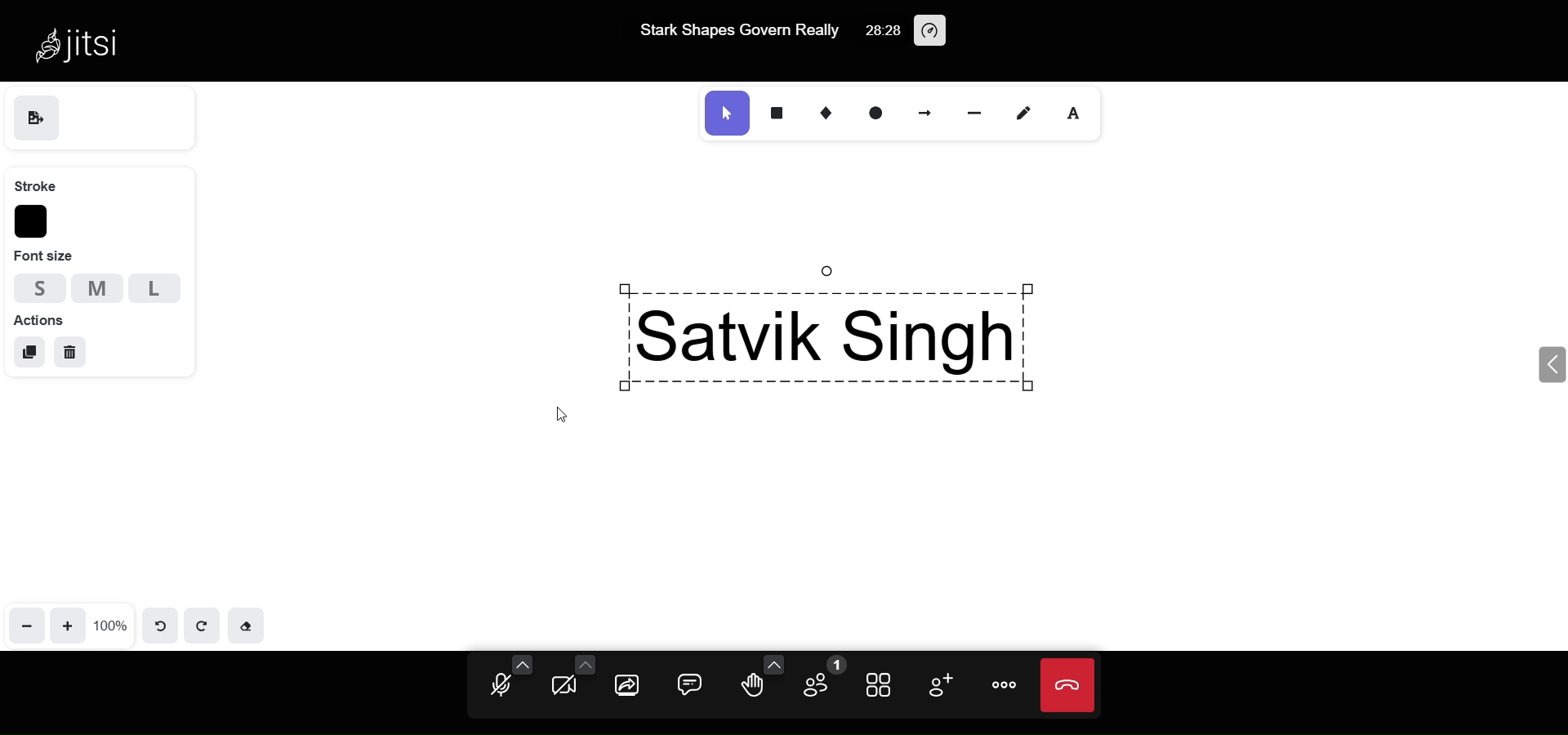 This screenshot has width=1568, height=735. I want to click on small, so click(36, 287).